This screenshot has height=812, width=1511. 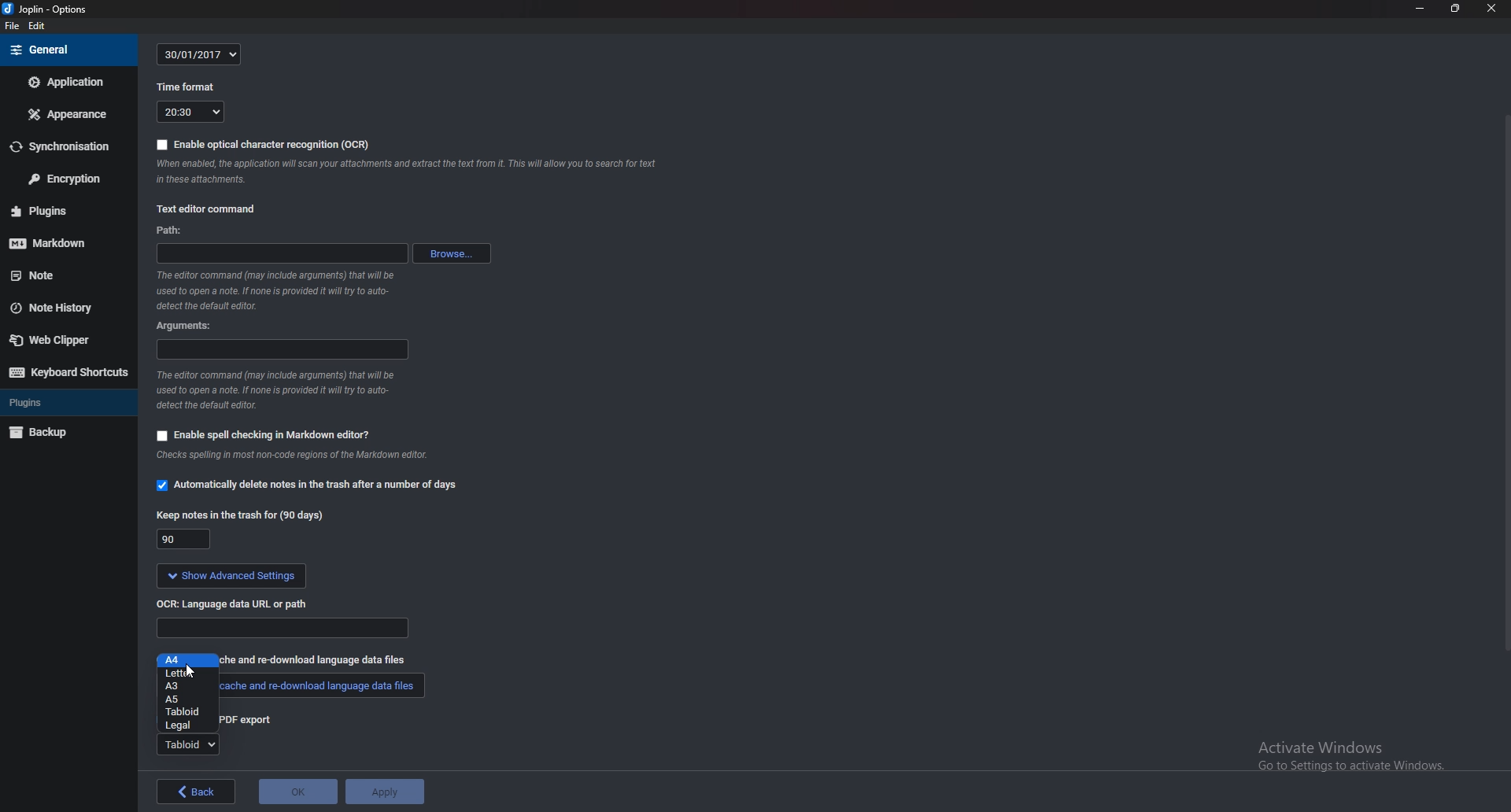 I want to click on info, so click(x=286, y=291).